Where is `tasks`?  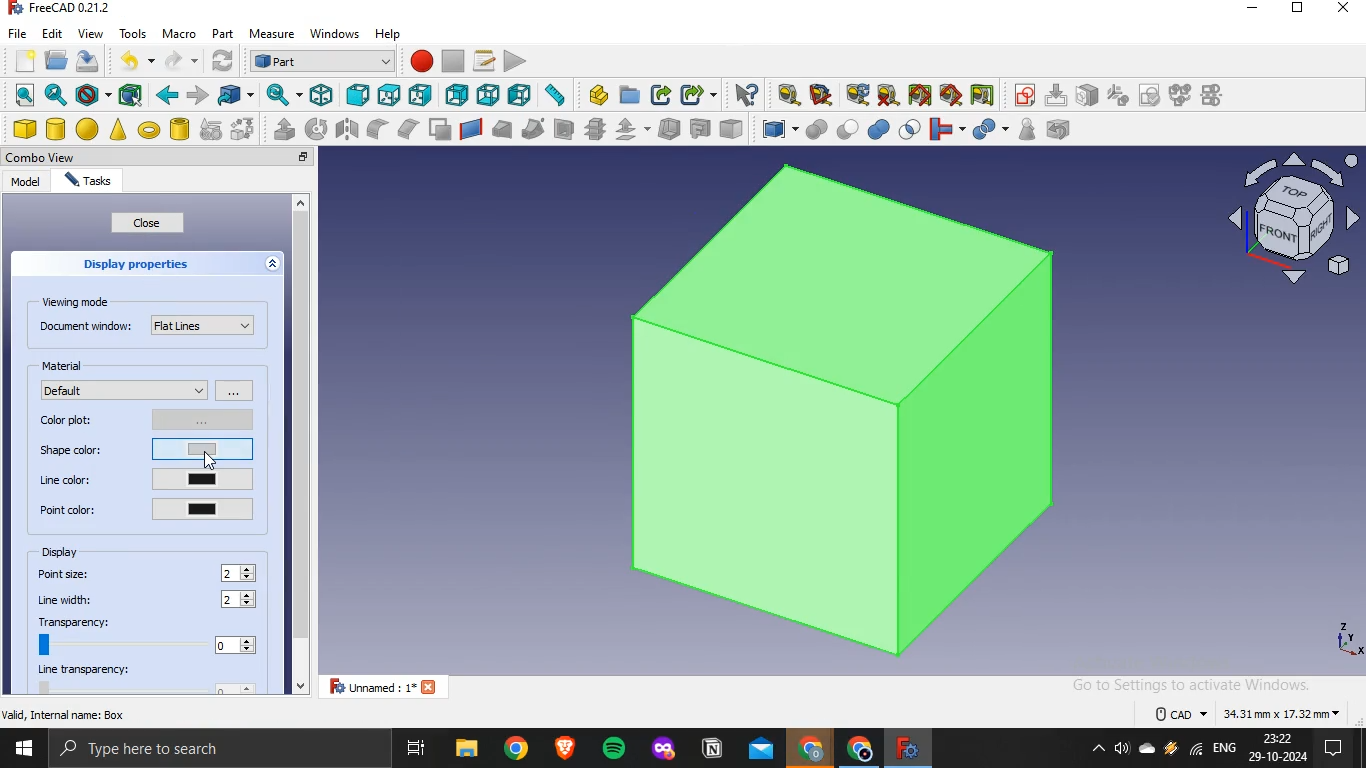
tasks is located at coordinates (86, 182).